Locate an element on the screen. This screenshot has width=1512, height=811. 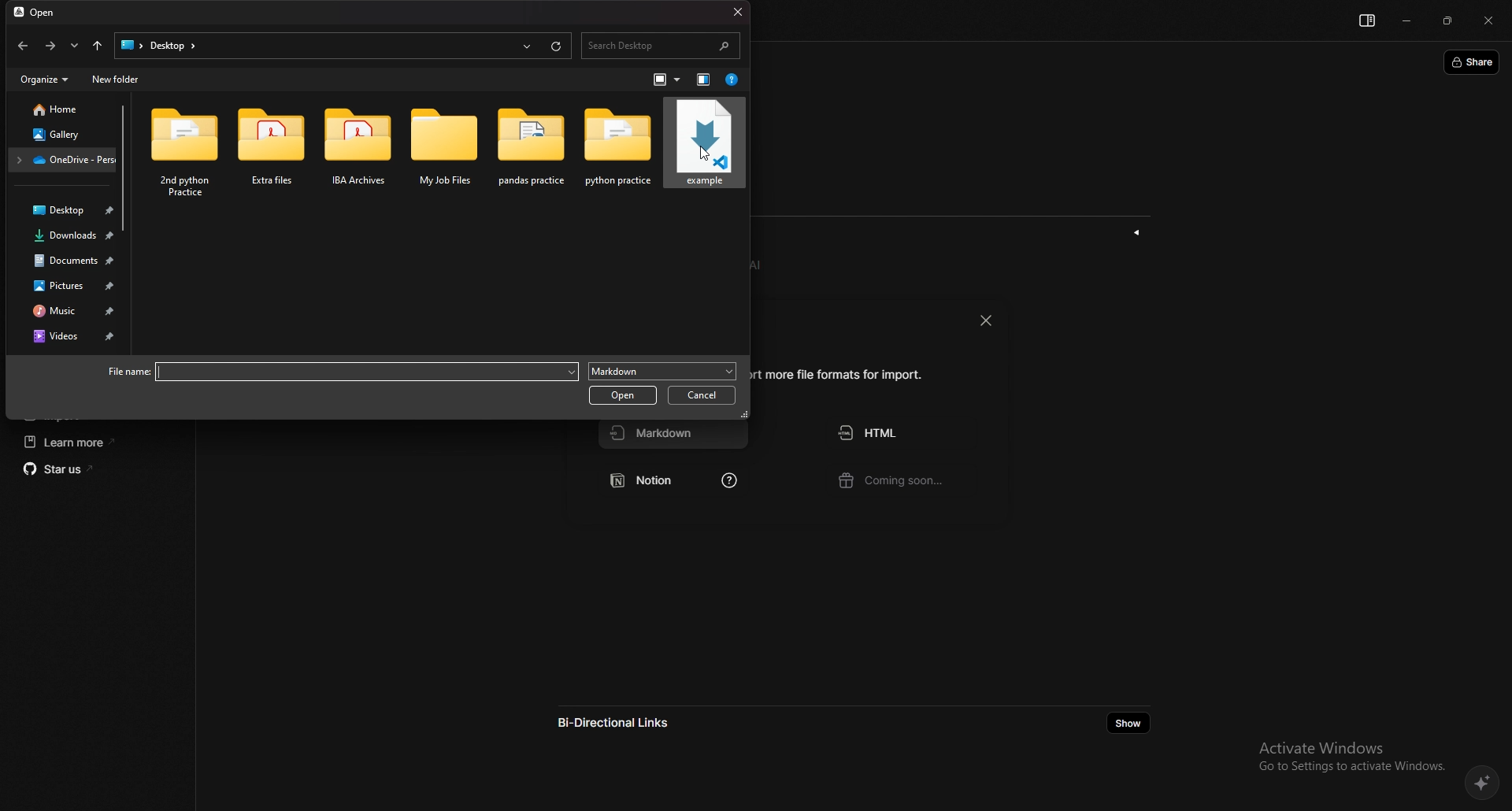
desktop is located at coordinates (66, 209).